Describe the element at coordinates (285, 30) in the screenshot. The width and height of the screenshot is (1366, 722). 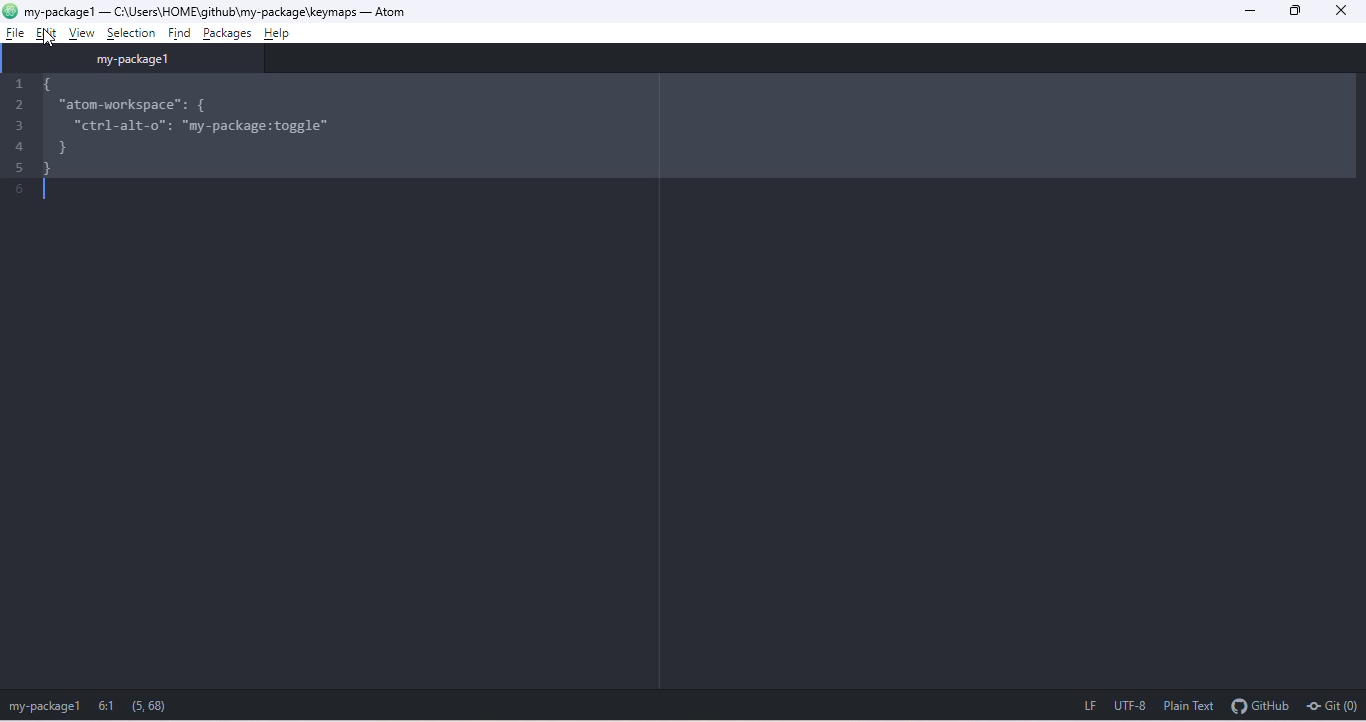
I see `help` at that location.